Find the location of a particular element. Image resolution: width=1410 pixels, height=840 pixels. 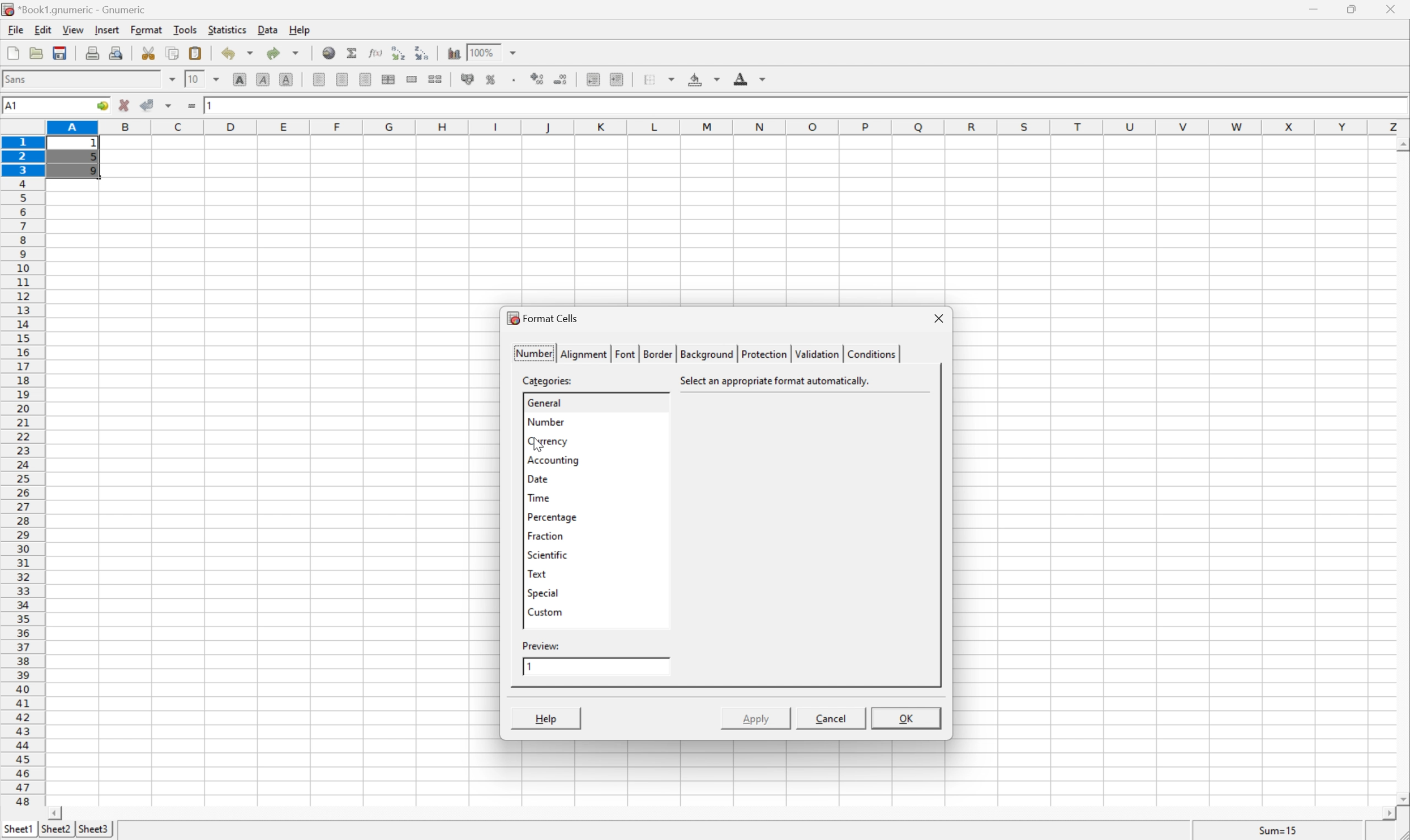

file is located at coordinates (14, 28).